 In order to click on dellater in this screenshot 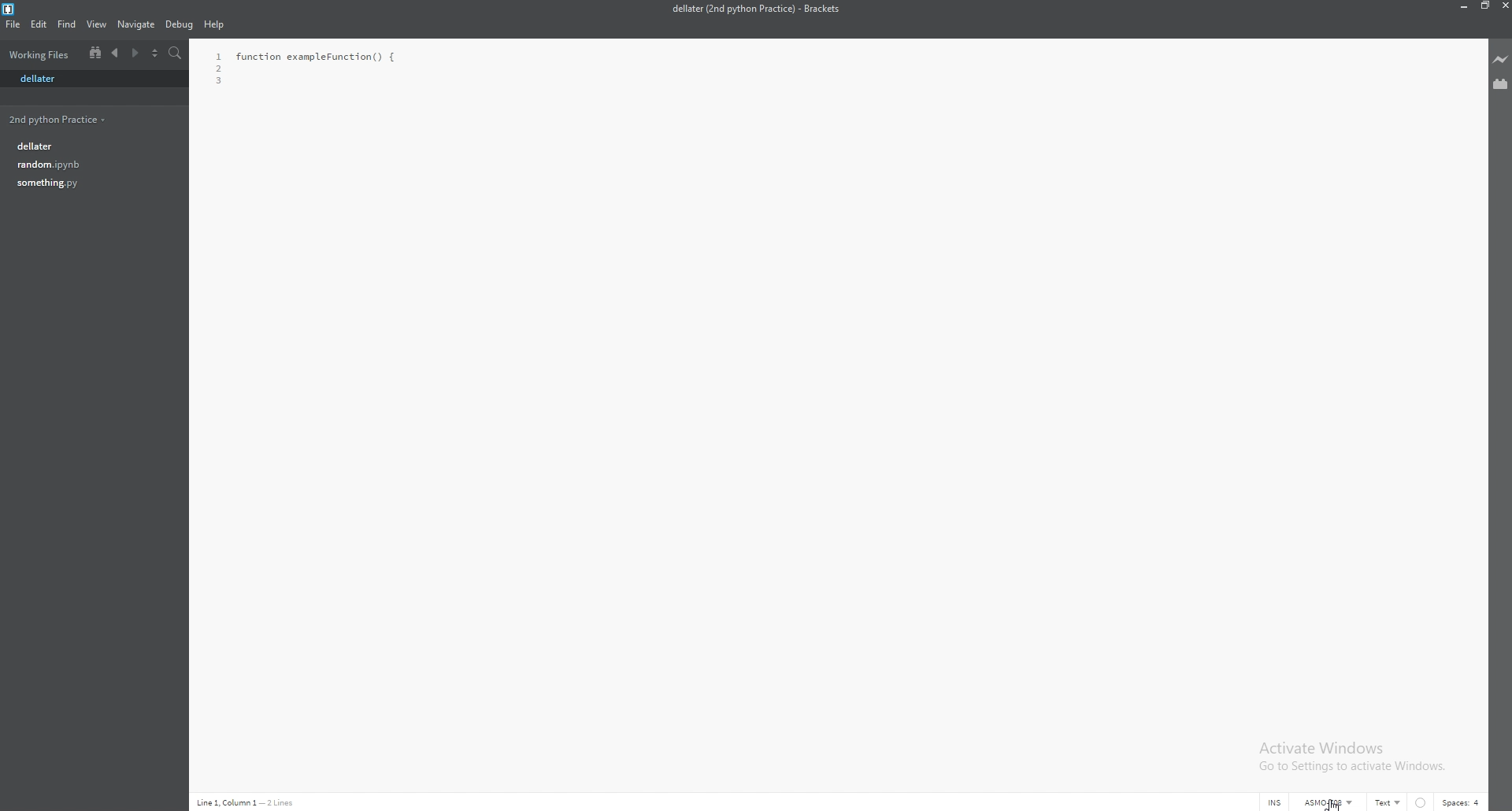, I will do `click(94, 78)`.